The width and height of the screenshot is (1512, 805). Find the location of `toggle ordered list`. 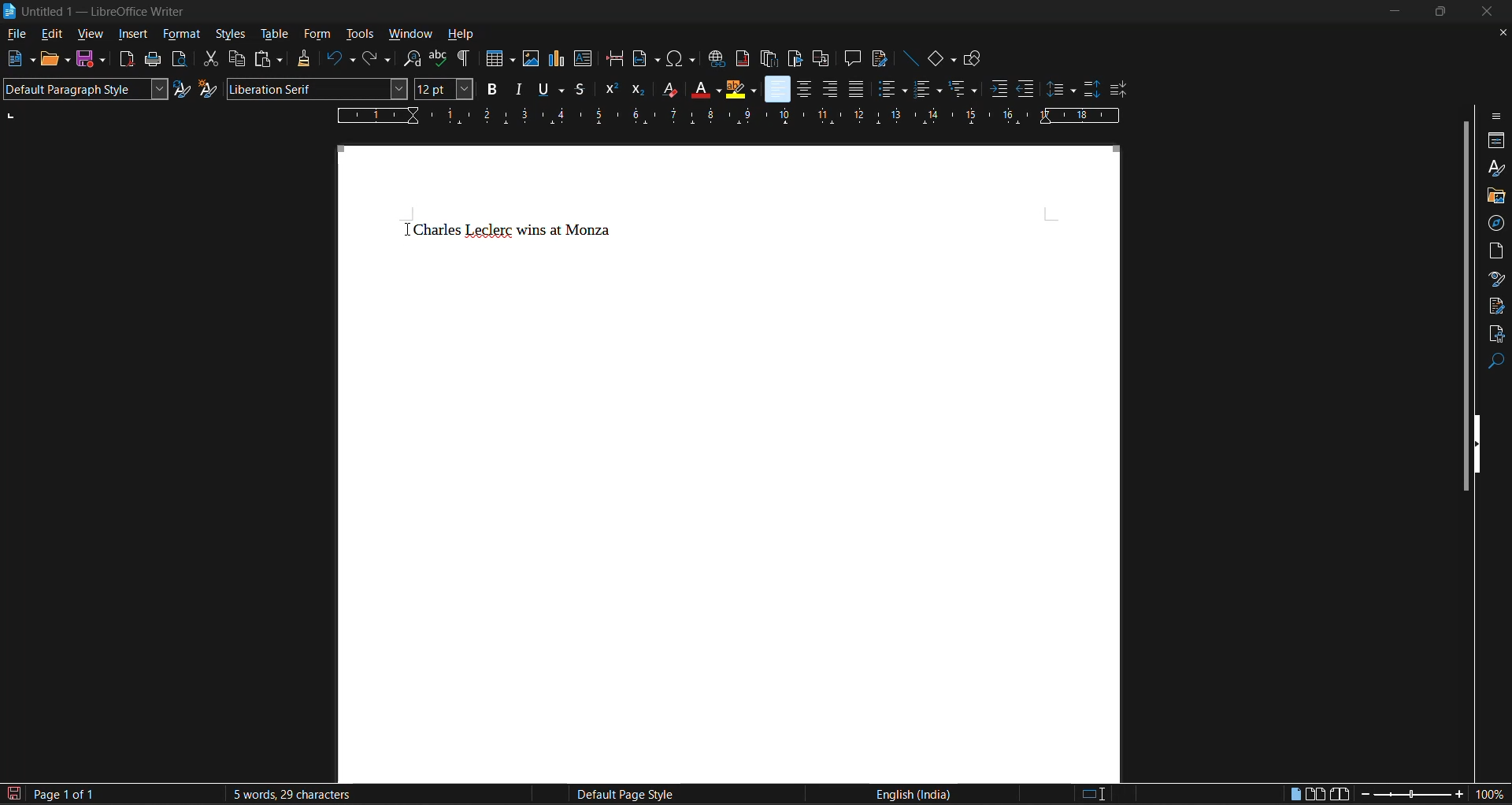

toggle ordered list is located at coordinates (926, 88).